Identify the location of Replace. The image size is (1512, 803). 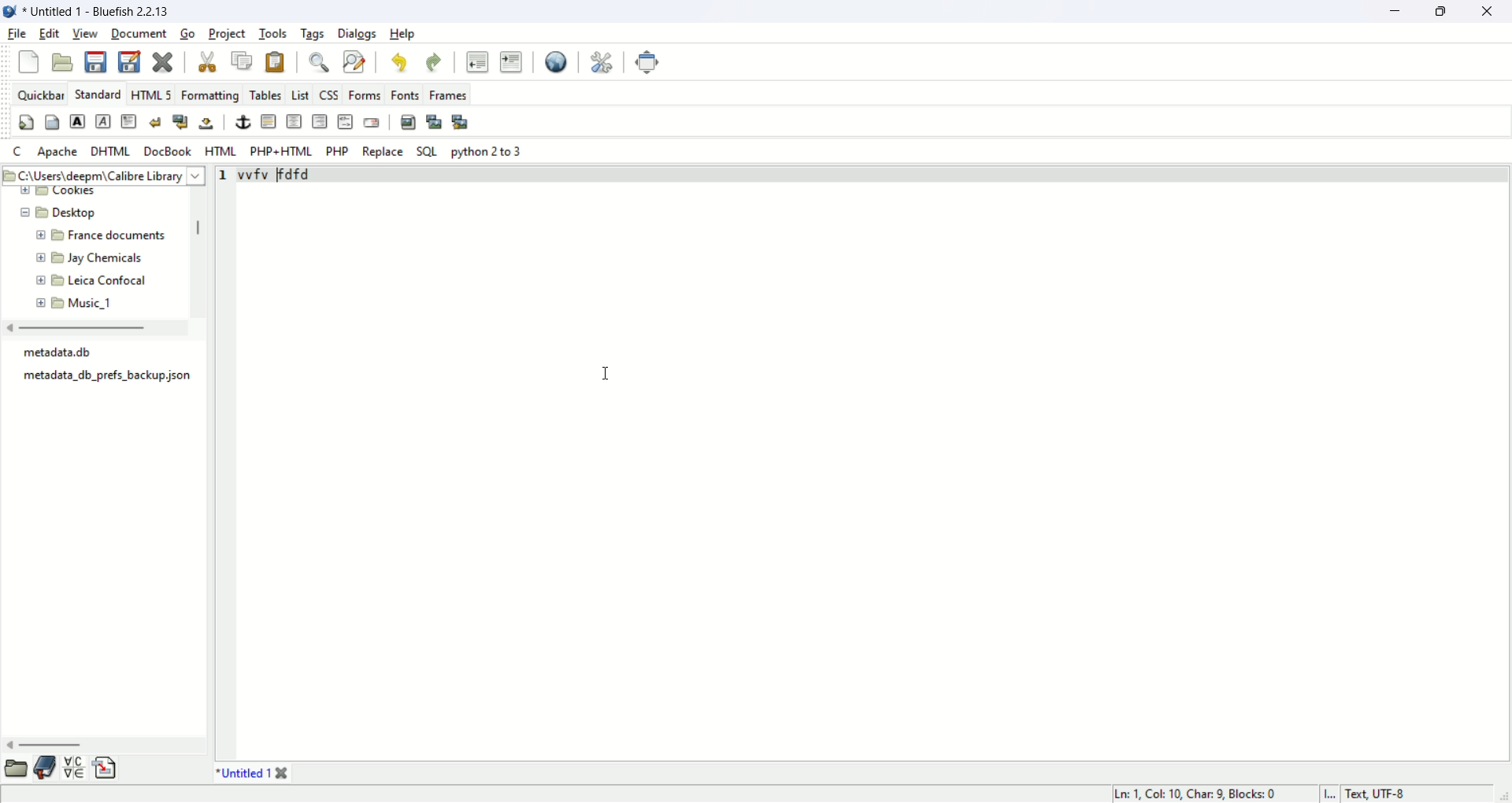
(384, 153).